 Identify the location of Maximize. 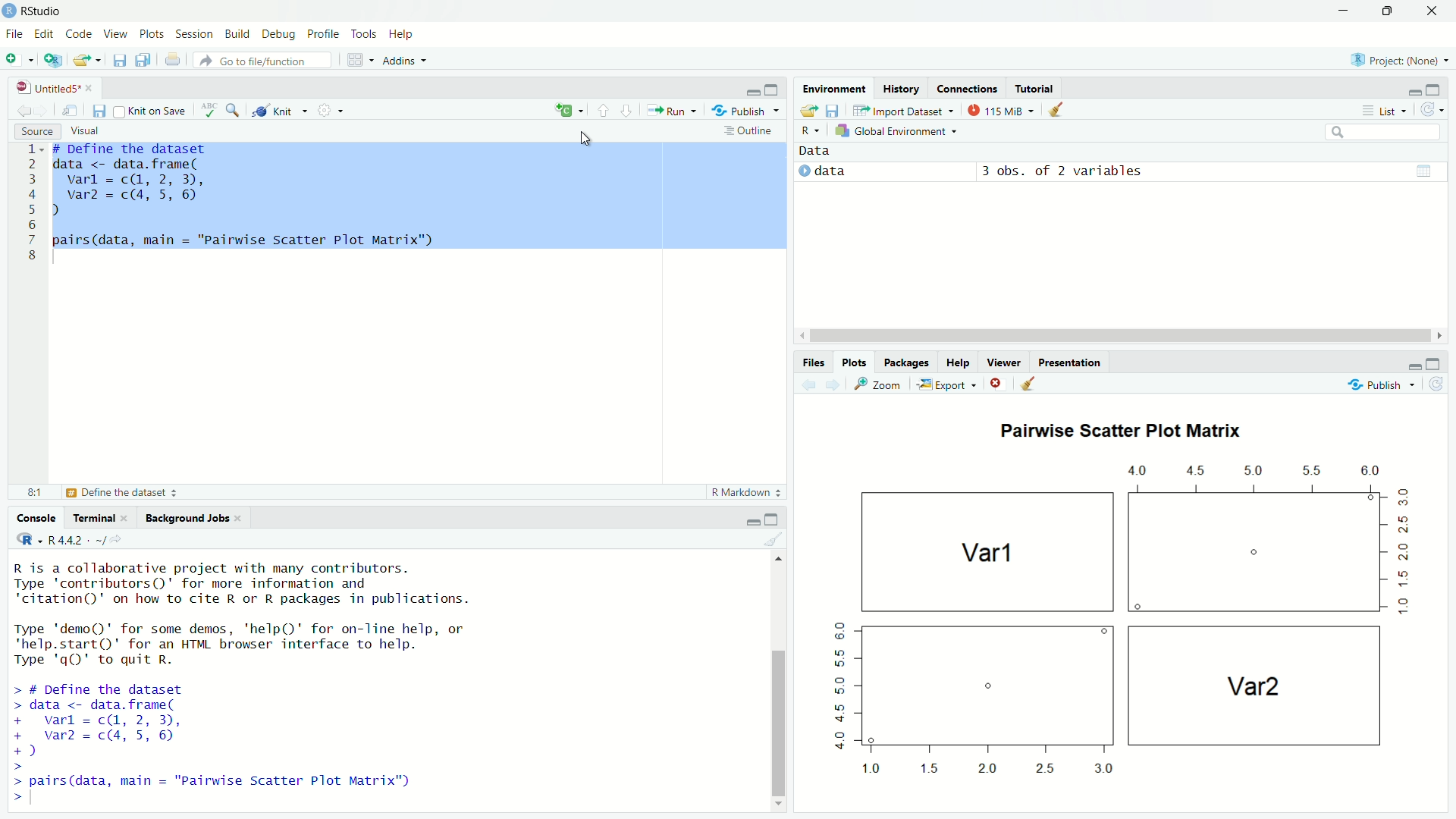
(774, 519).